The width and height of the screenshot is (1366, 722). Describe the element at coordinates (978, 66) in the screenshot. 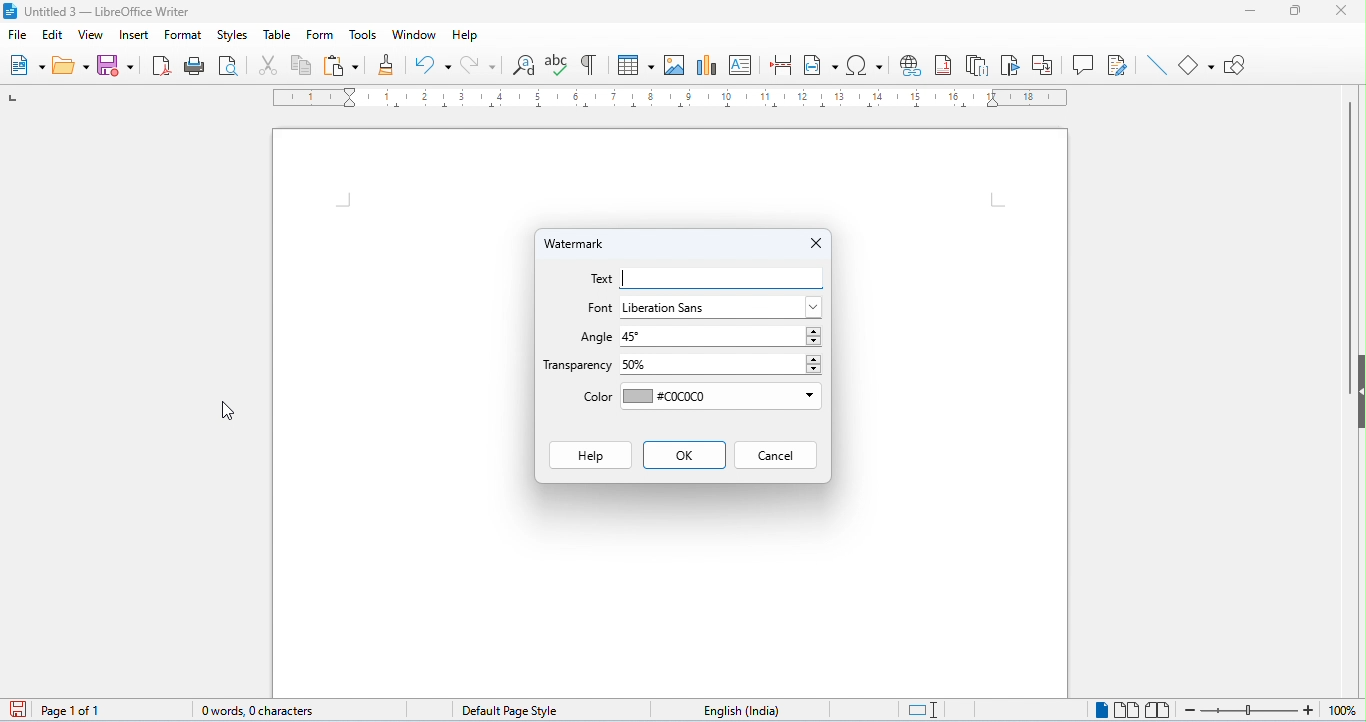

I see `insert and note` at that location.